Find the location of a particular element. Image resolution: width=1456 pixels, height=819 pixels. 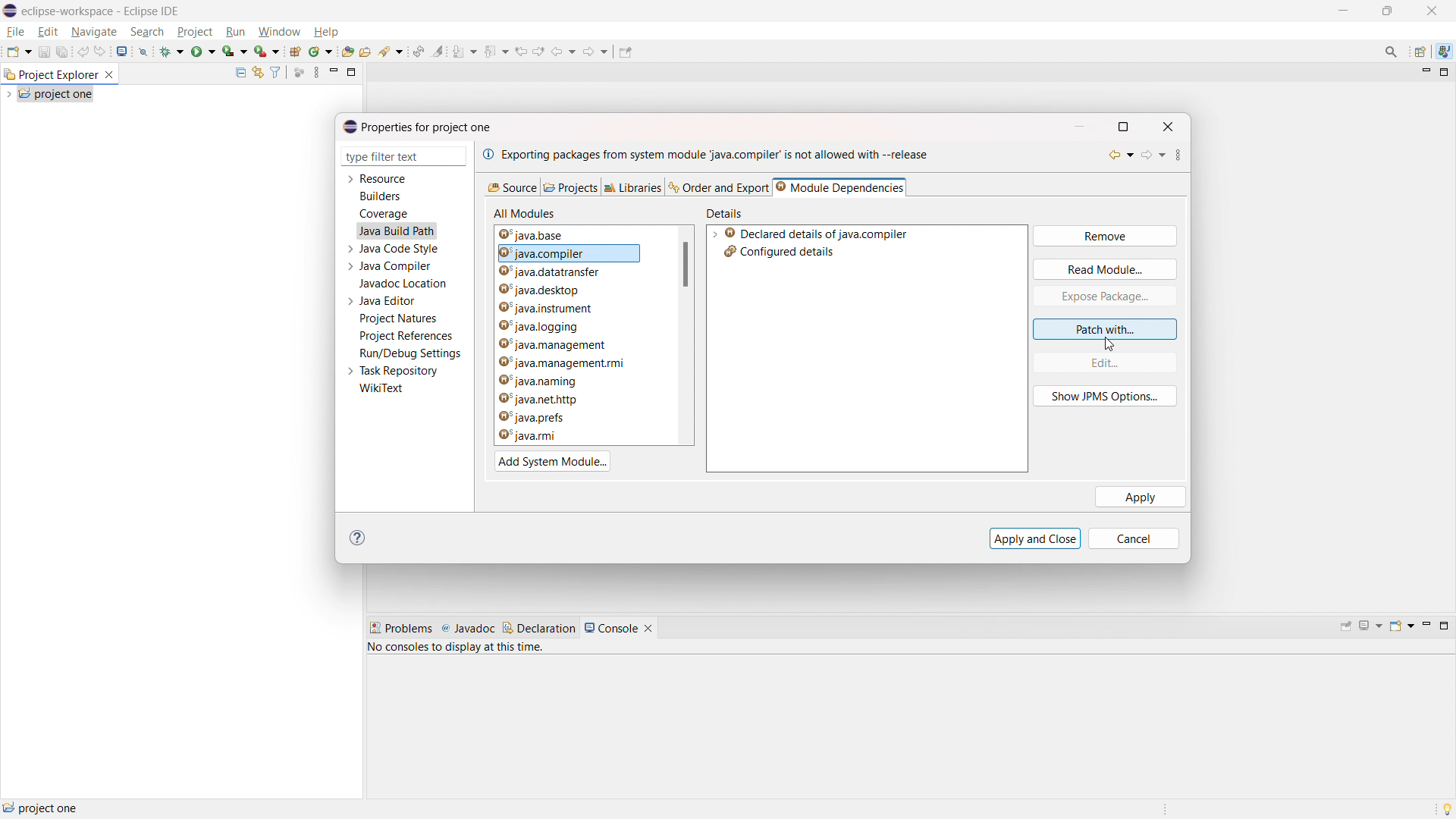

all modules is located at coordinates (526, 213).